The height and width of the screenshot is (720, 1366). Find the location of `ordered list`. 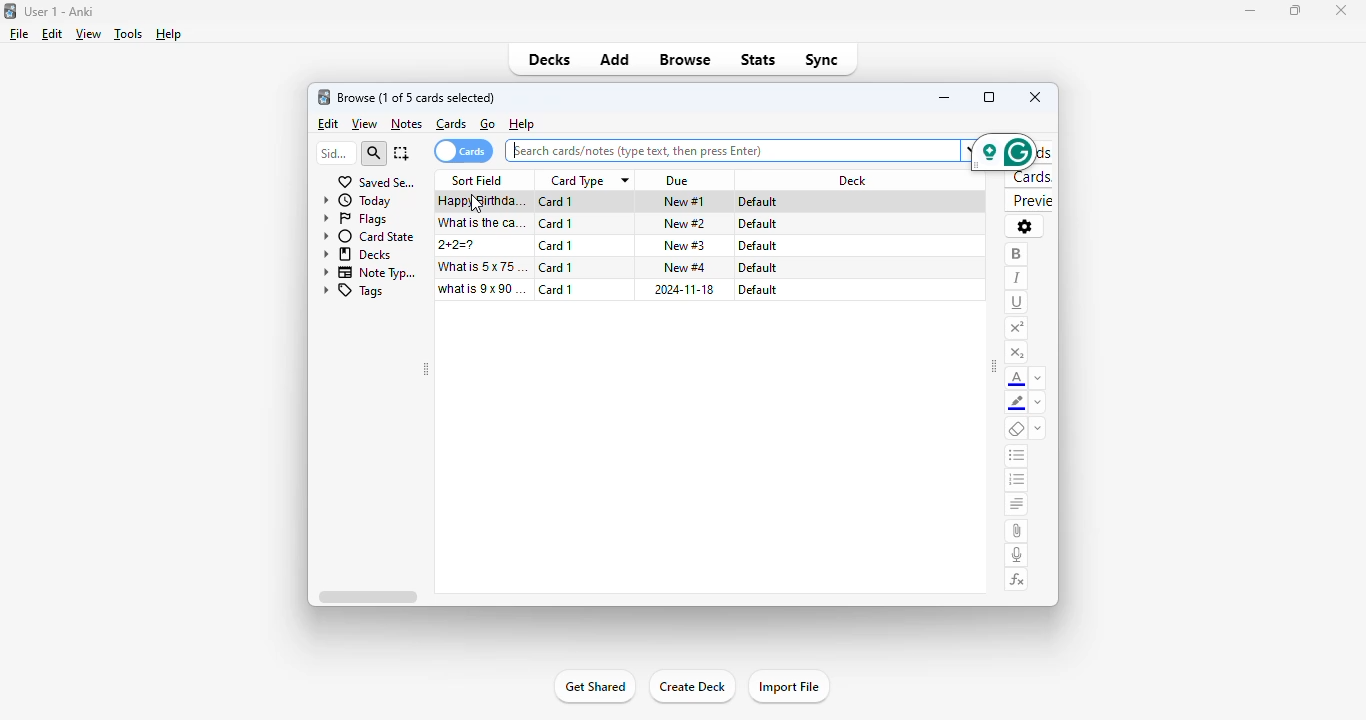

ordered list is located at coordinates (1016, 481).